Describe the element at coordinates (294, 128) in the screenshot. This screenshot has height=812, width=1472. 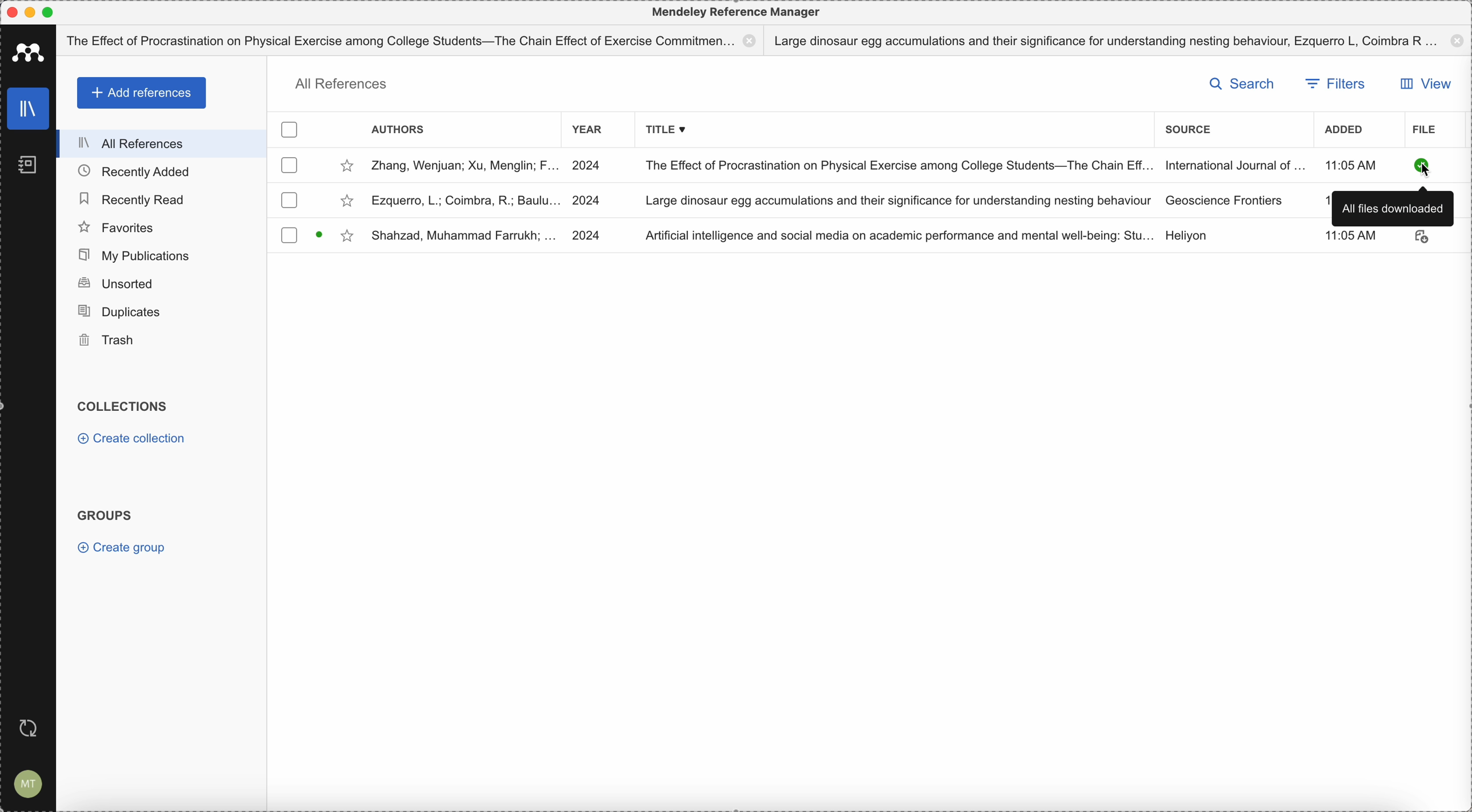
I see `checkbox` at that location.